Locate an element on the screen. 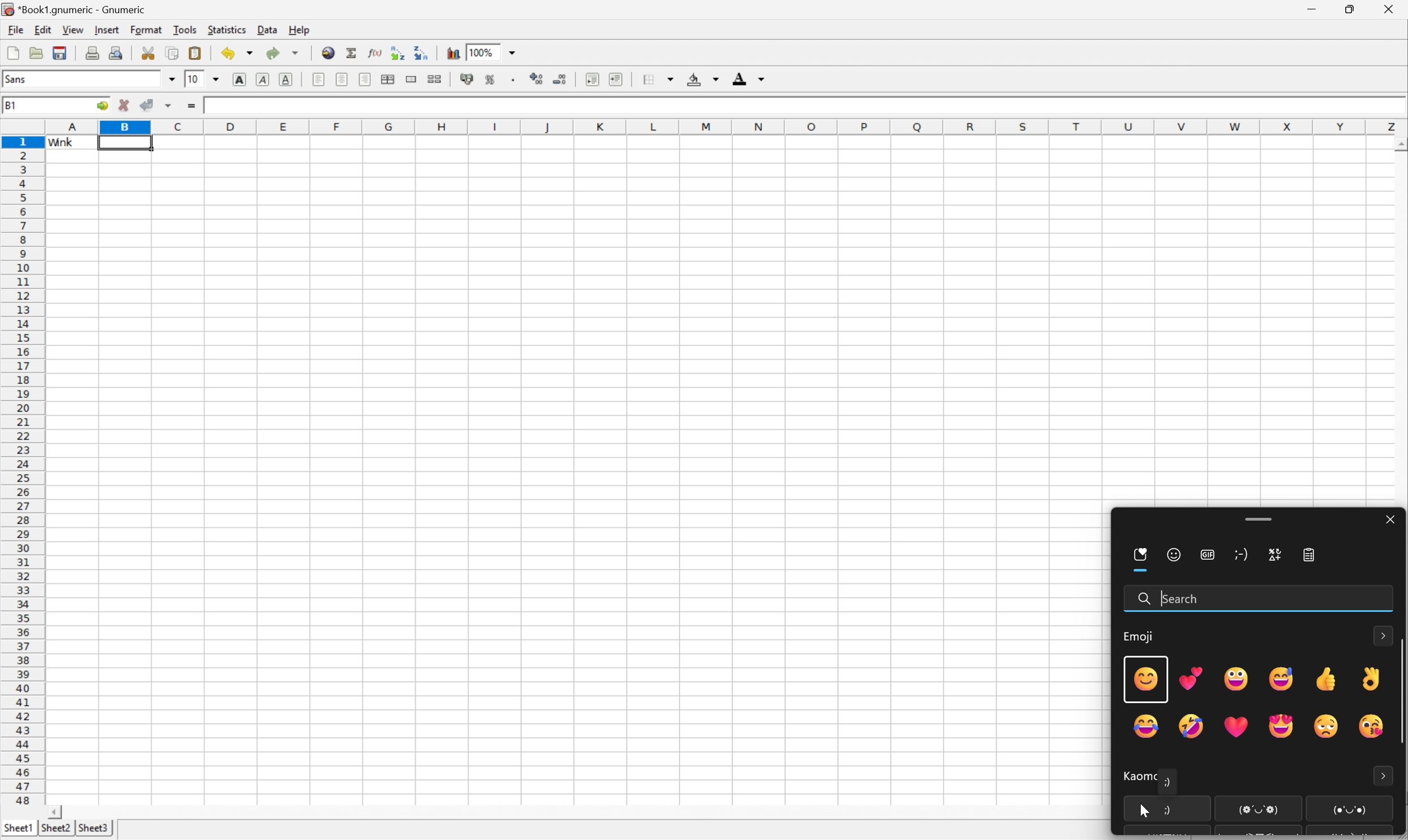 The width and height of the screenshot is (1408, 840). print preview is located at coordinates (117, 52).